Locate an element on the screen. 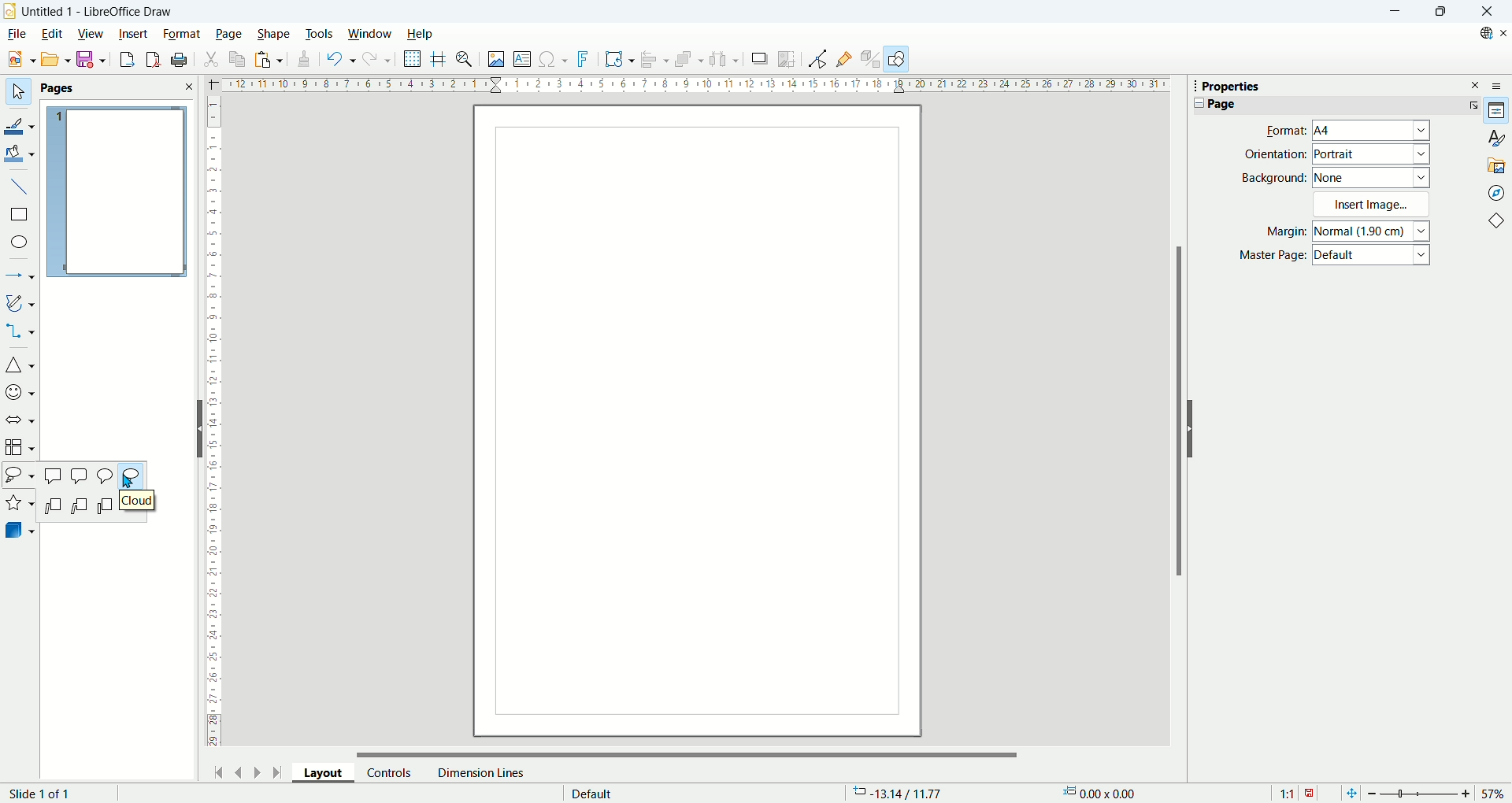 This screenshot has width=1512, height=803. Collapse is located at coordinates (1195, 103).